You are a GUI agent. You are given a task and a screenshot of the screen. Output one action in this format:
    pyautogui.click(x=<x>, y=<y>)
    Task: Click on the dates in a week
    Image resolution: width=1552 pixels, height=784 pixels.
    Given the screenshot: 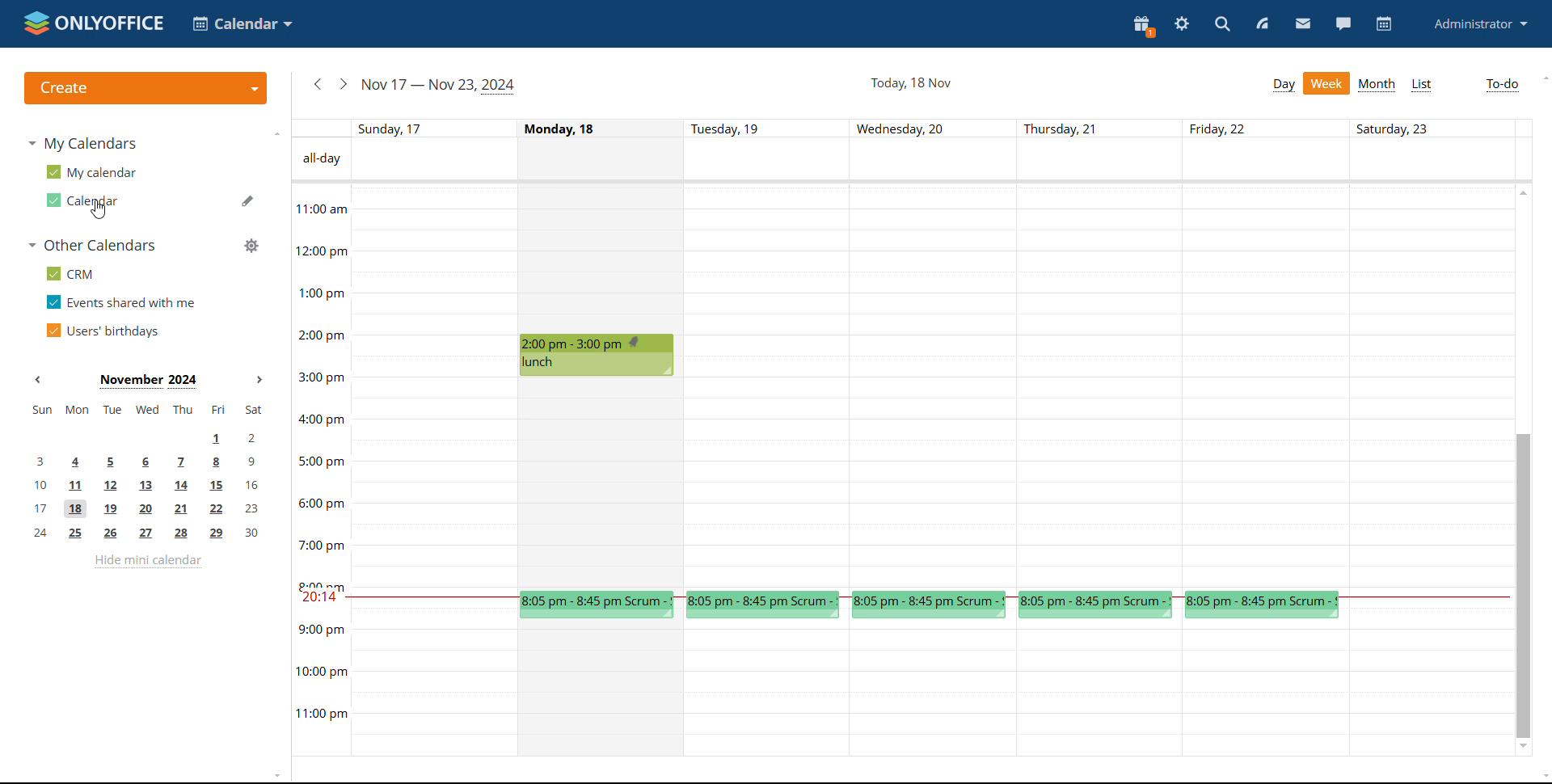 What is the action you would take?
    pyautogui.click(x=941, y=129)
    